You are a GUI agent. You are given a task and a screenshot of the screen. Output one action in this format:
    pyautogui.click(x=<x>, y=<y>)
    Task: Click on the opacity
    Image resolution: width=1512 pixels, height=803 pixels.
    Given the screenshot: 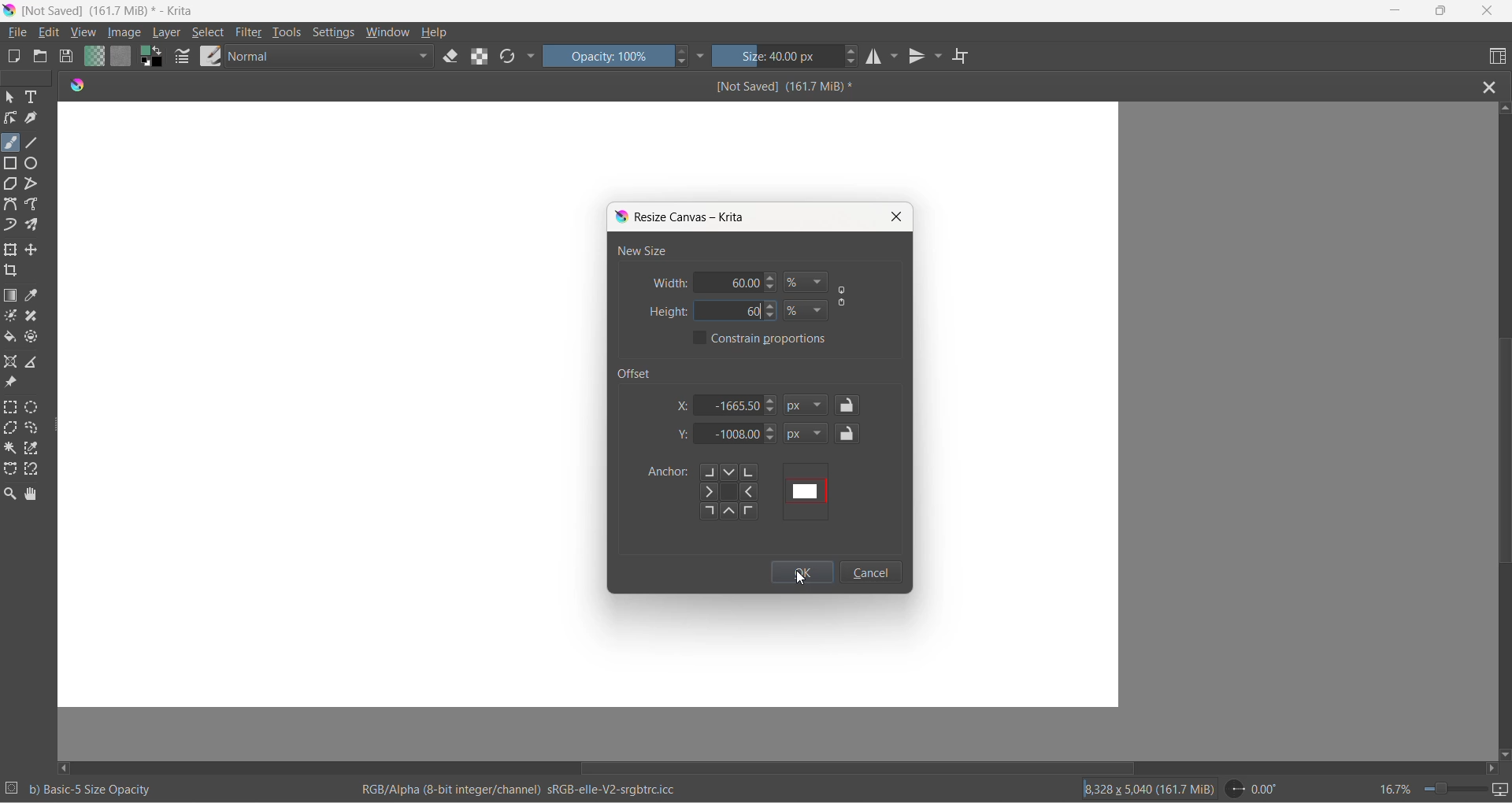 What is the action you would take?
    pyautogui.click(x=609, y=56)
    